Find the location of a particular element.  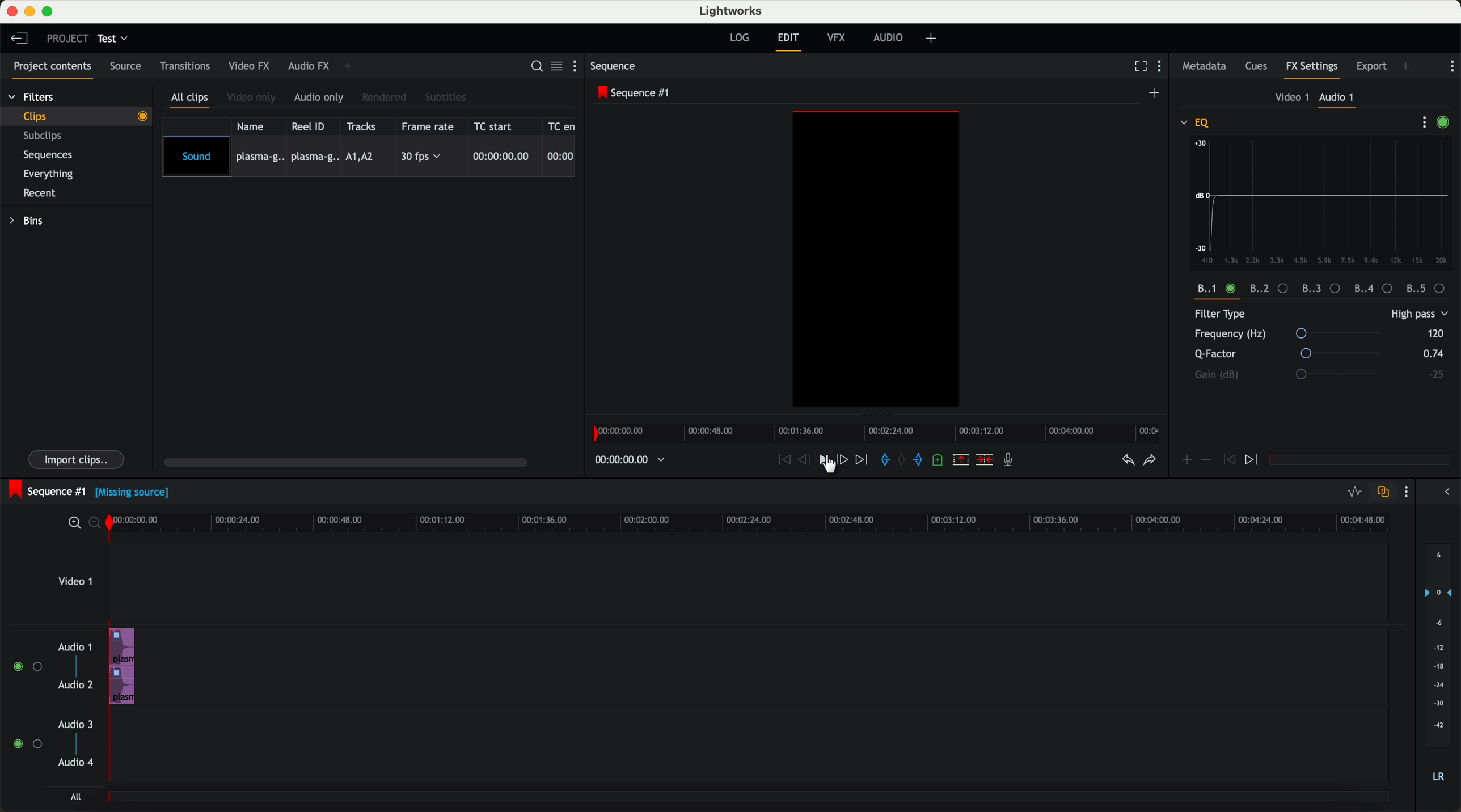

rendered is located at coordinates (386, 97).